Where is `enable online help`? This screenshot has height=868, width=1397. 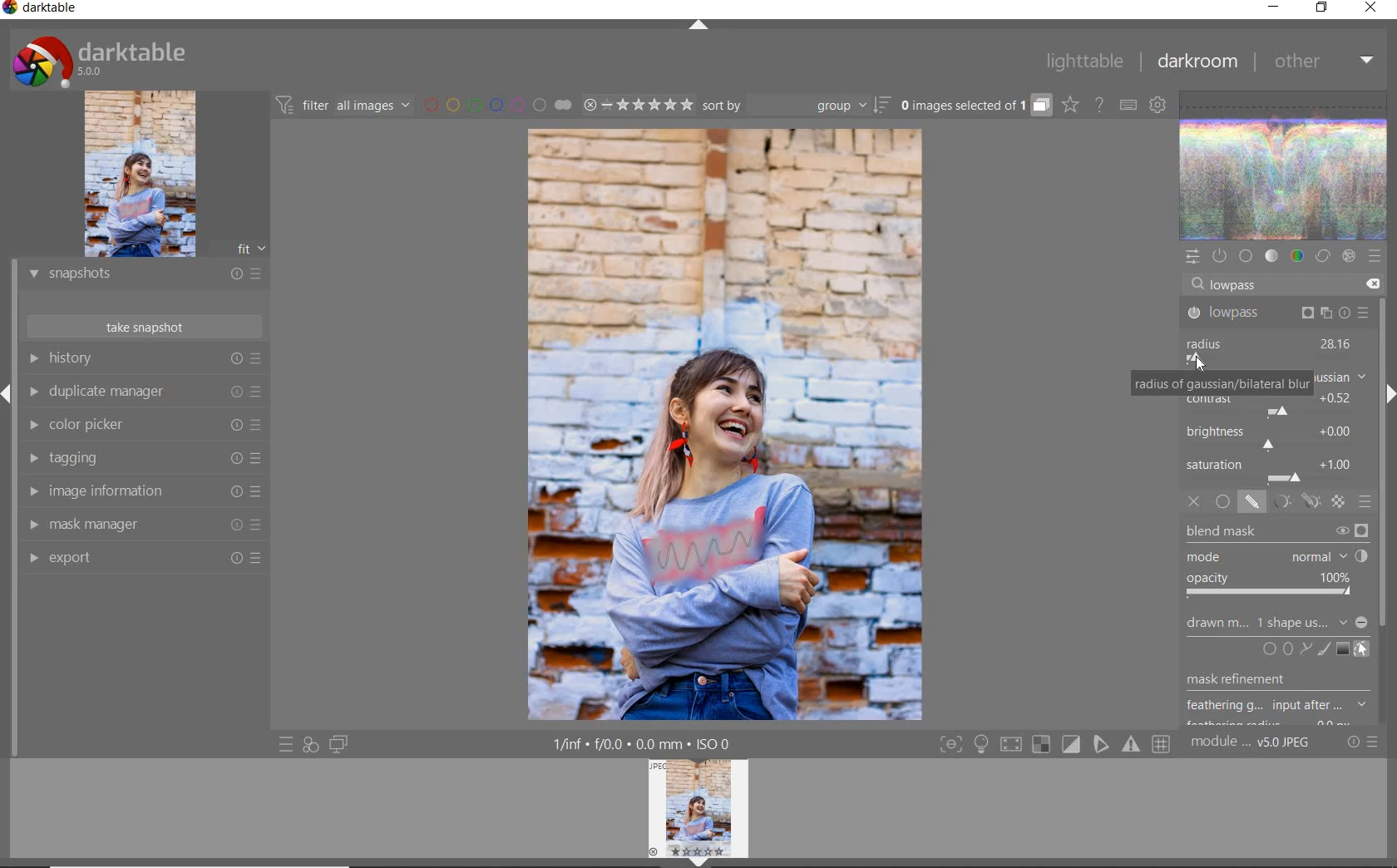 enable online help is located at coordinates (1100, 104).